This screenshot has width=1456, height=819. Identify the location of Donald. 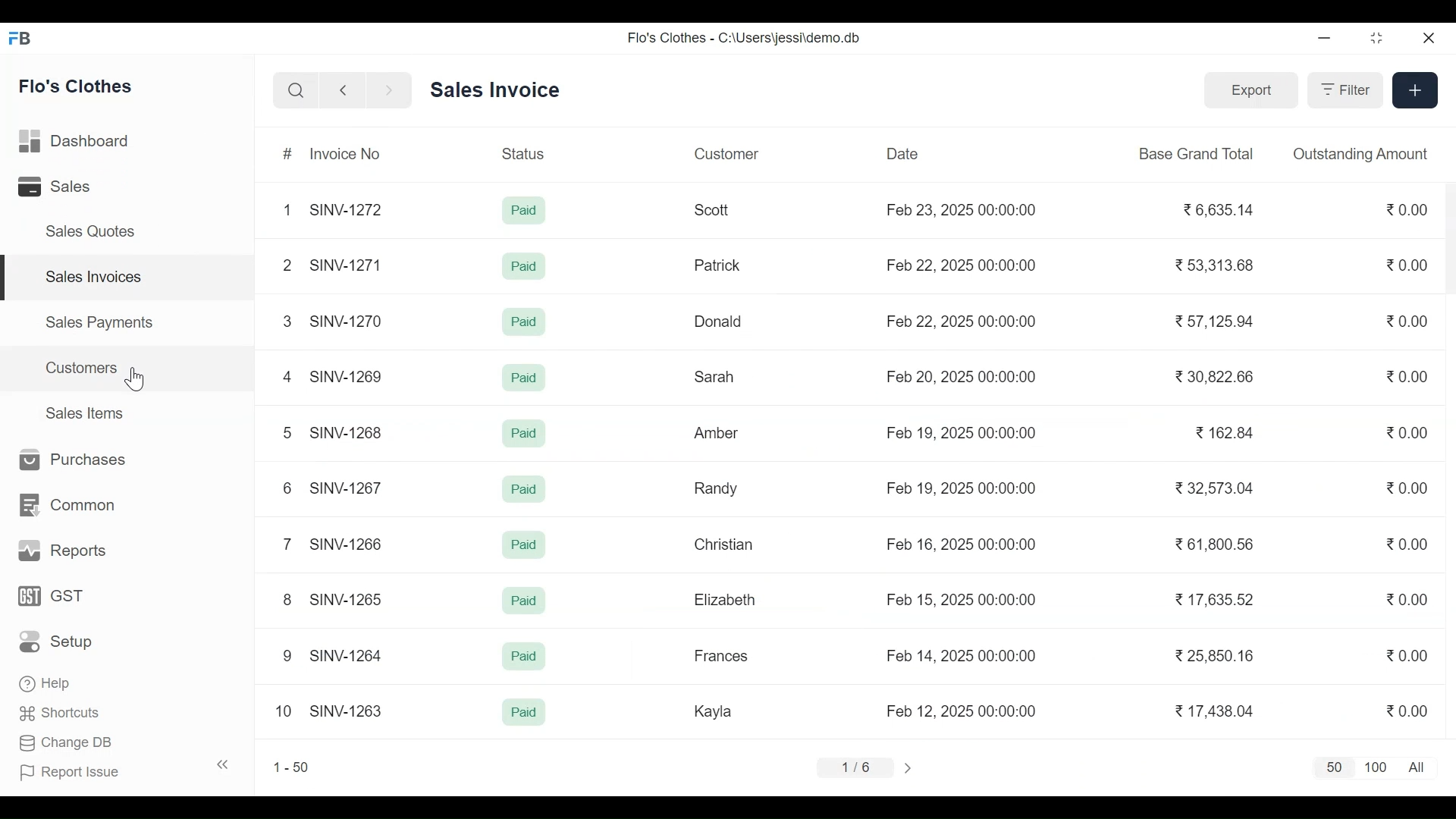
(720, 322).